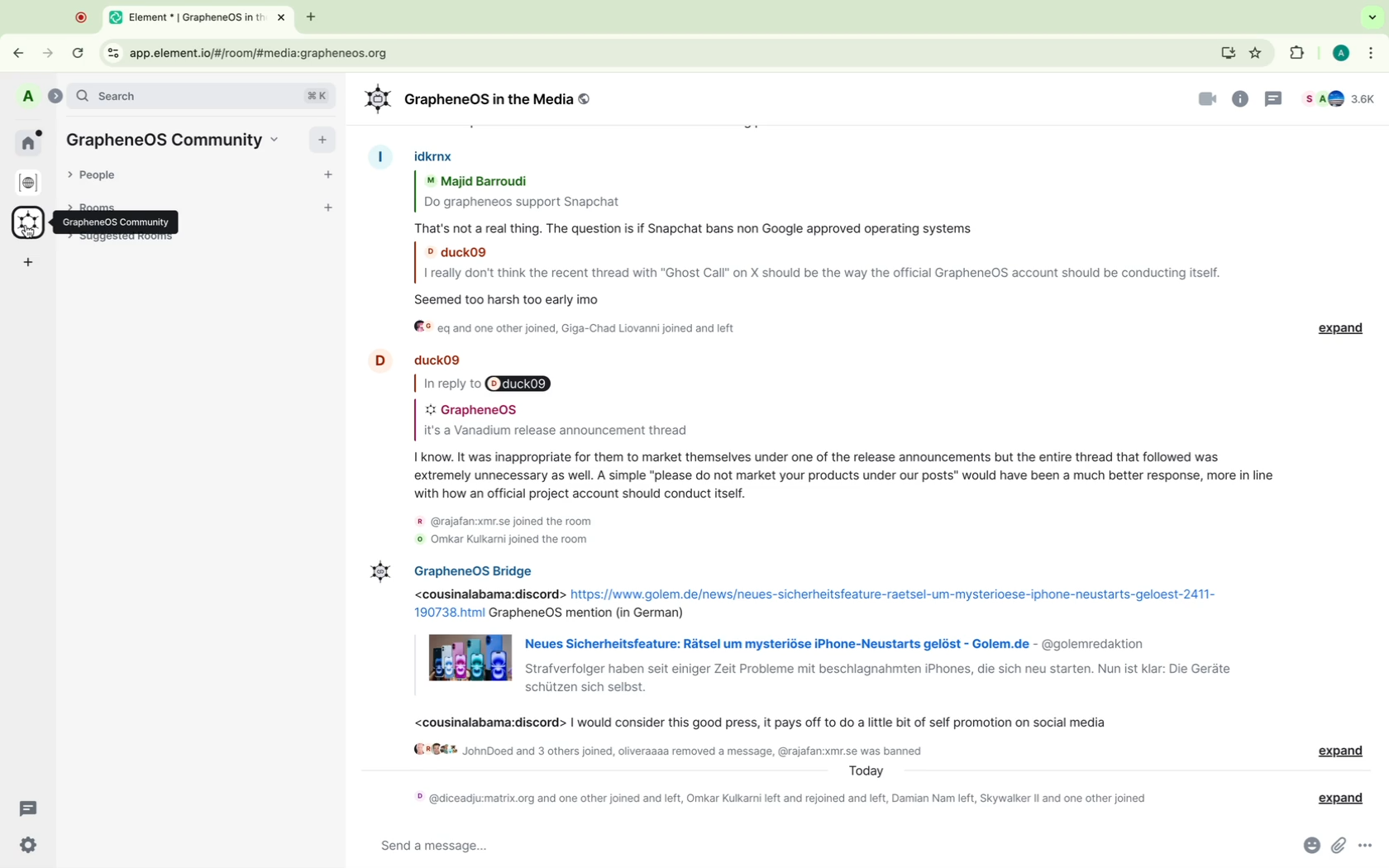 The image size is (1389, 868). What do you see at coordinates (29, 225) in the screenshot?
I see `server icon` at bounding box center [29, 225].